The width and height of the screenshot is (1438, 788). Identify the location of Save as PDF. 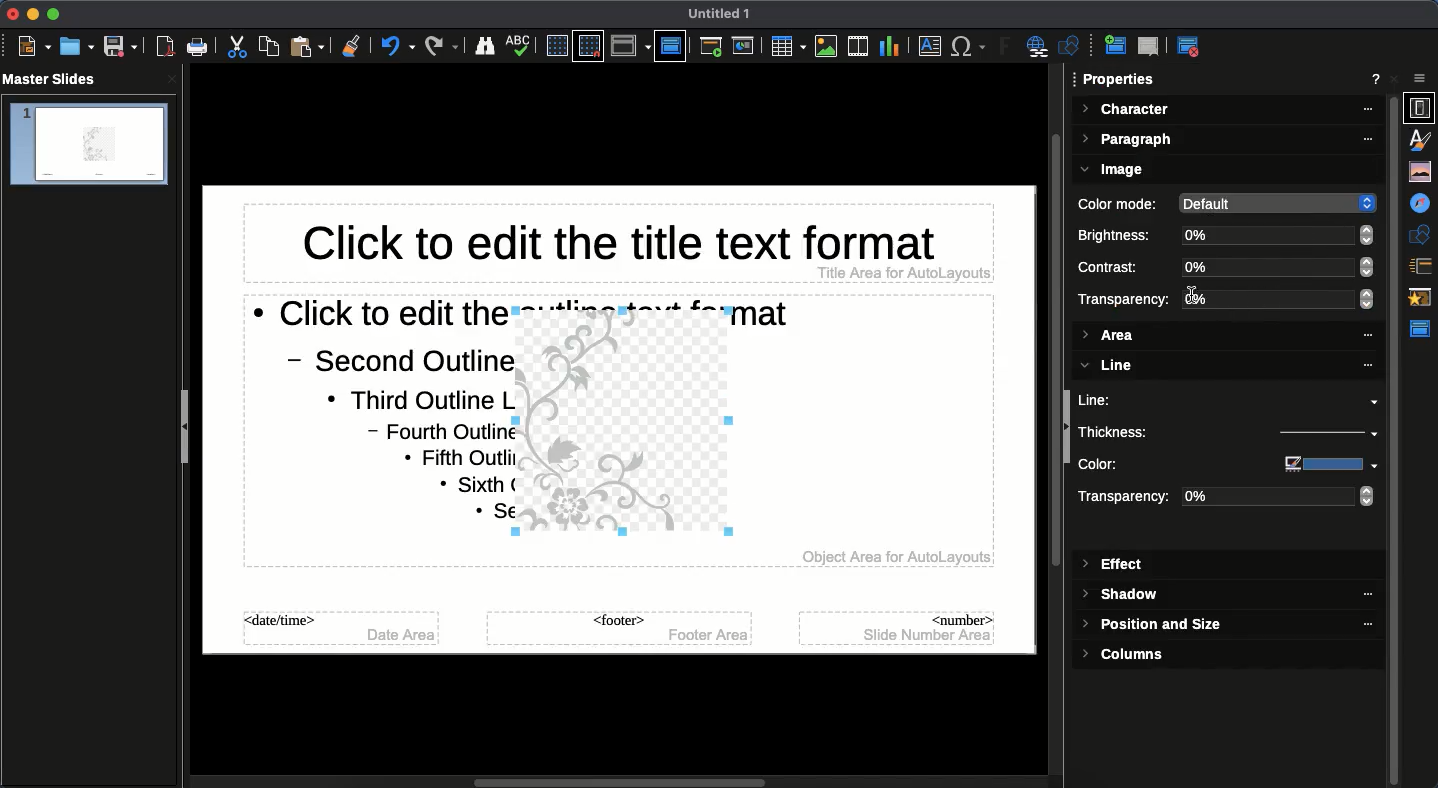
(167, 49).